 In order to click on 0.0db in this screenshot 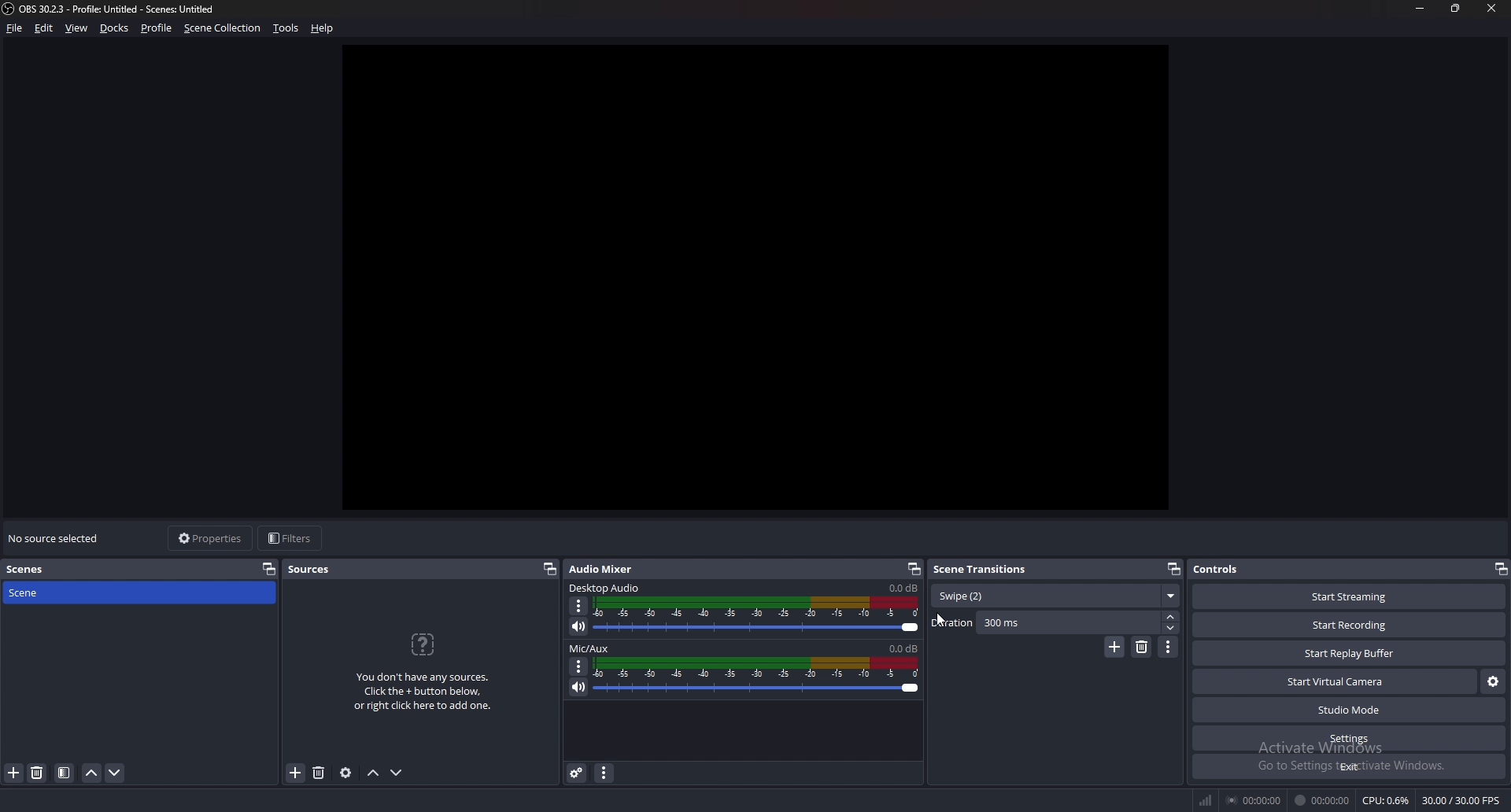, I will do `click(905, 589)`.